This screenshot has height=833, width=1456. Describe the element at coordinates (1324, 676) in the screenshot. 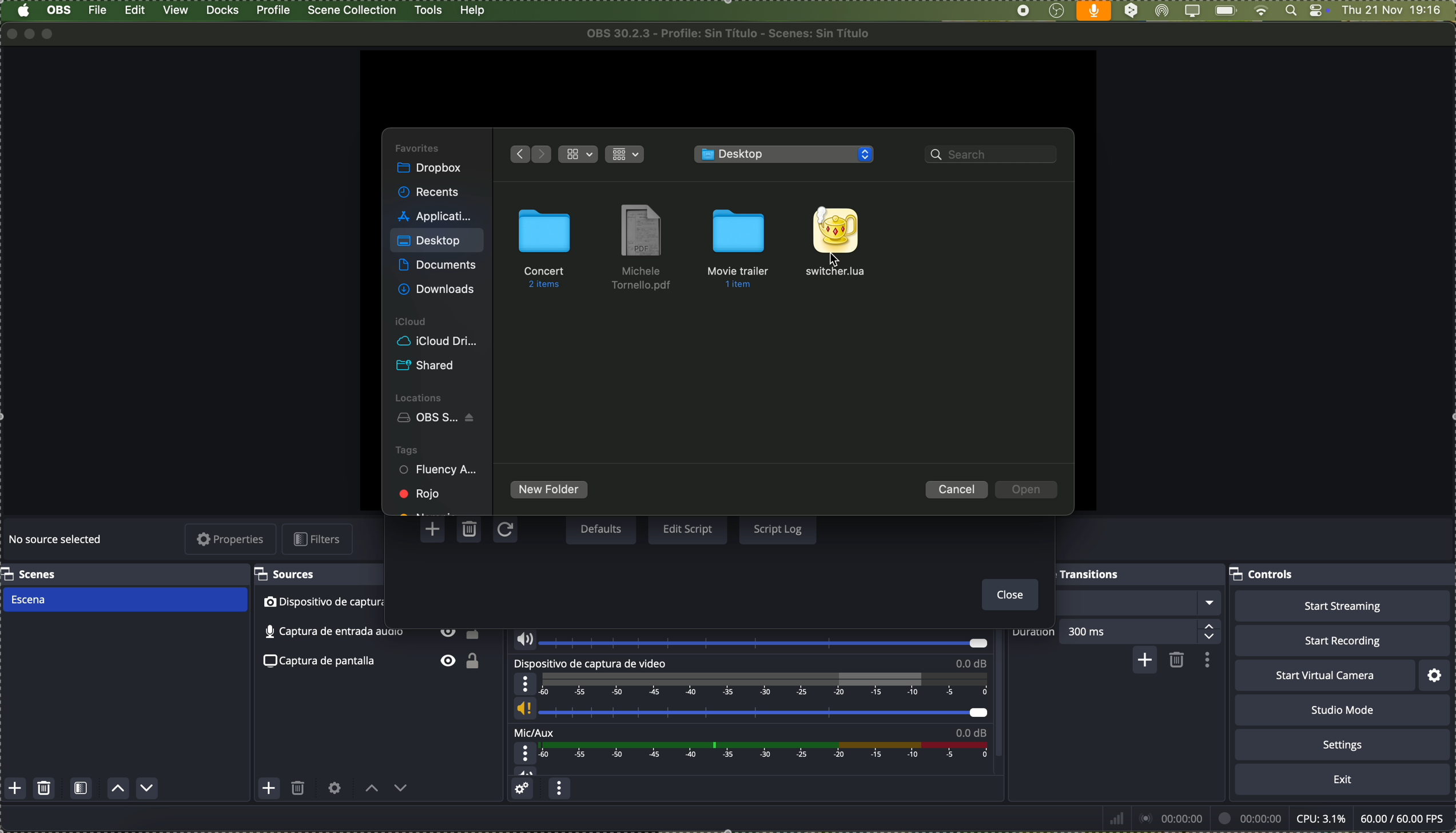

I see `start virtual camera` at that location.